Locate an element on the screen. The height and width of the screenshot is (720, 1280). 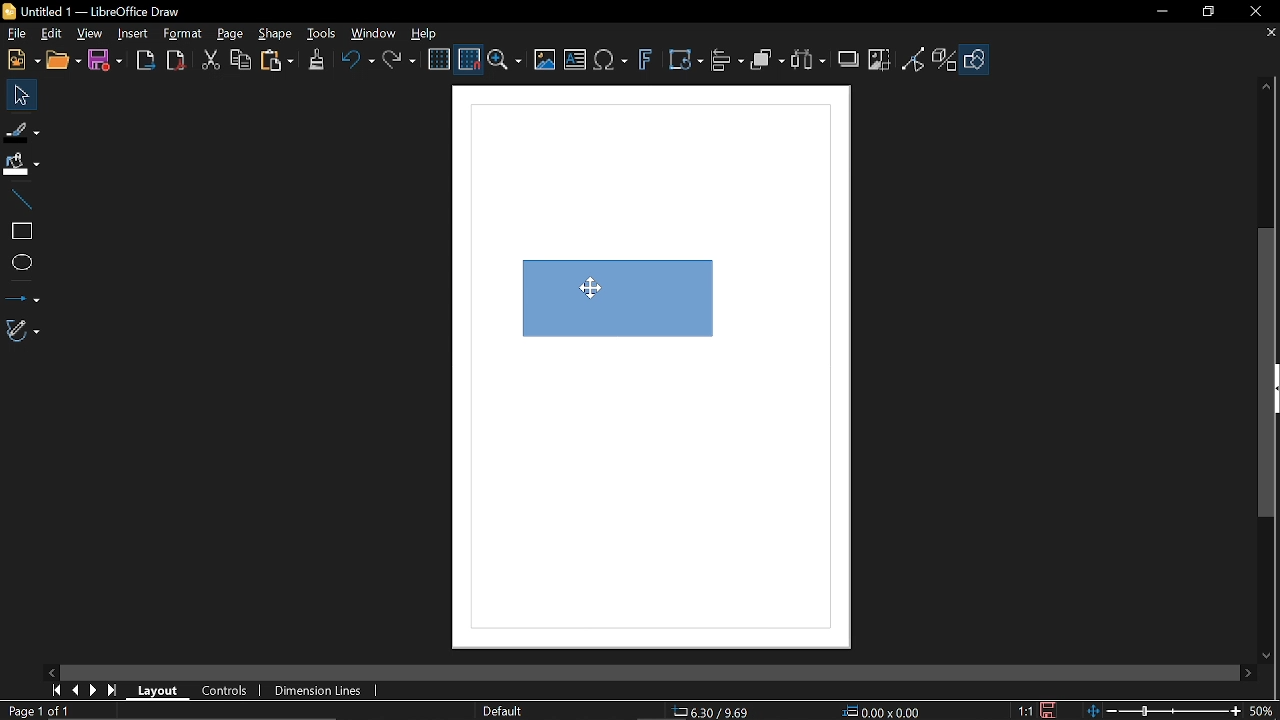
Clone is located at coordinates (316, 61).